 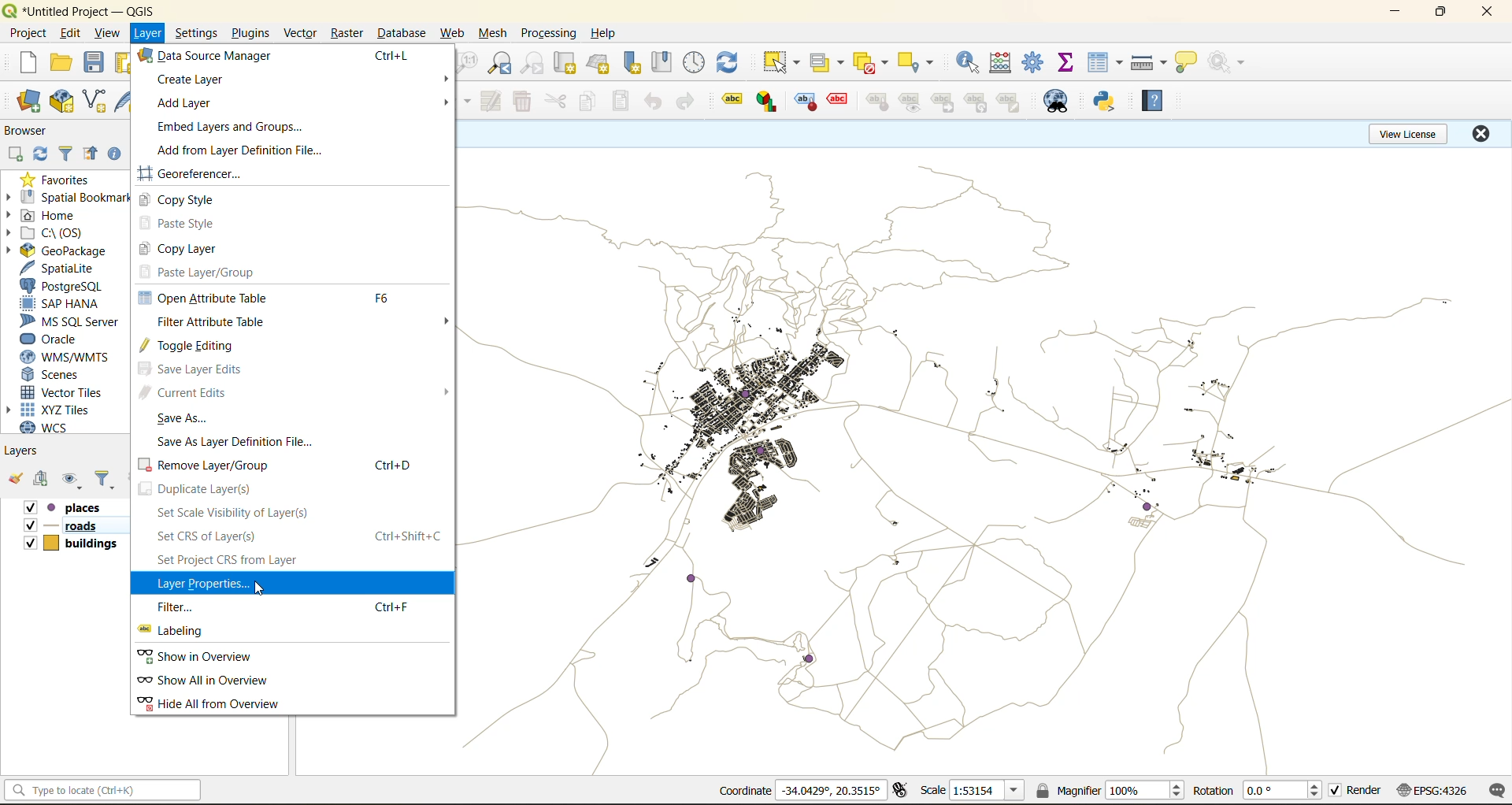 I want to click on spatialite, so click(x=71, y=266).